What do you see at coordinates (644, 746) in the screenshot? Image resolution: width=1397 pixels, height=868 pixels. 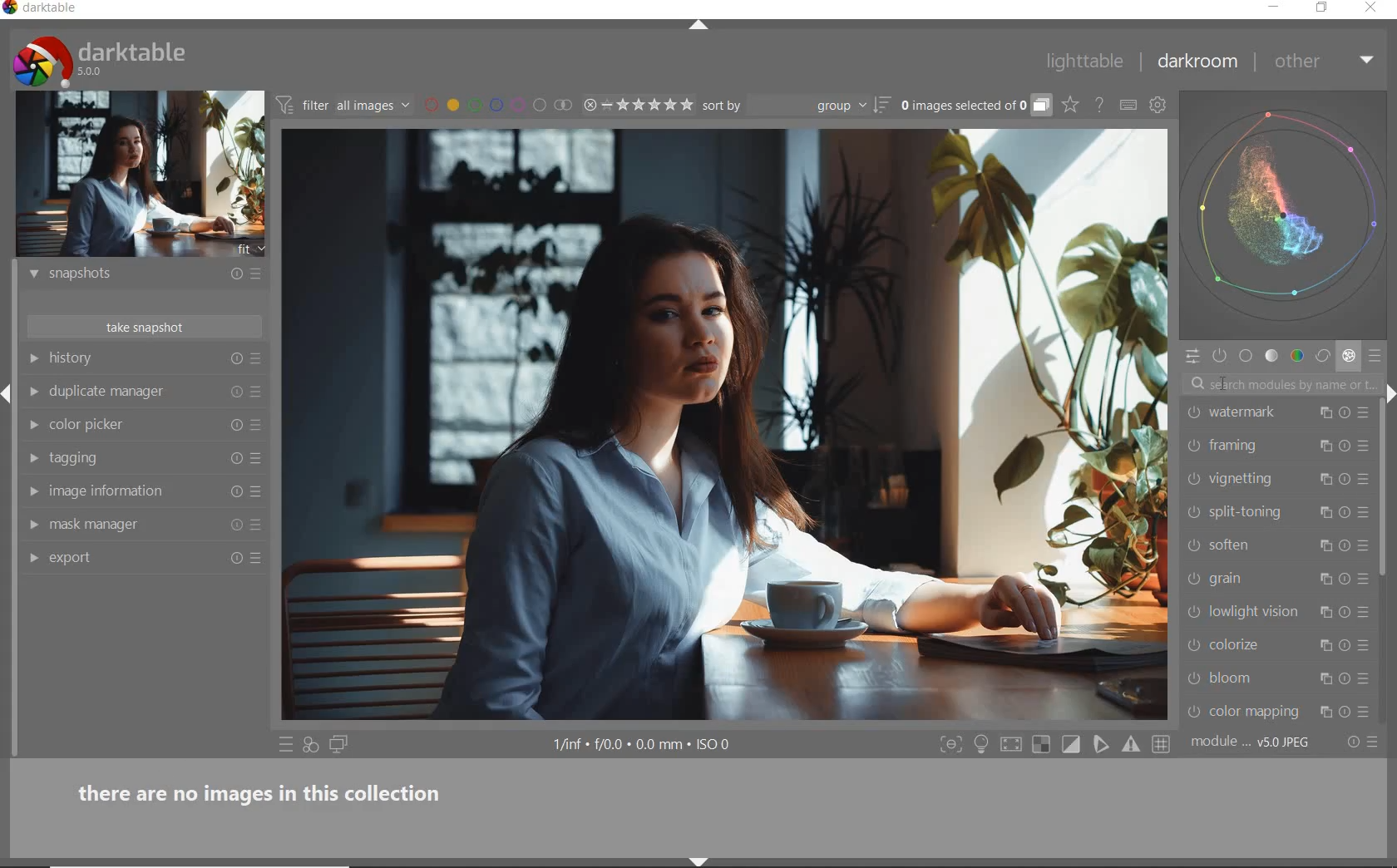 I see `display information` at bounding box center [644, 746].